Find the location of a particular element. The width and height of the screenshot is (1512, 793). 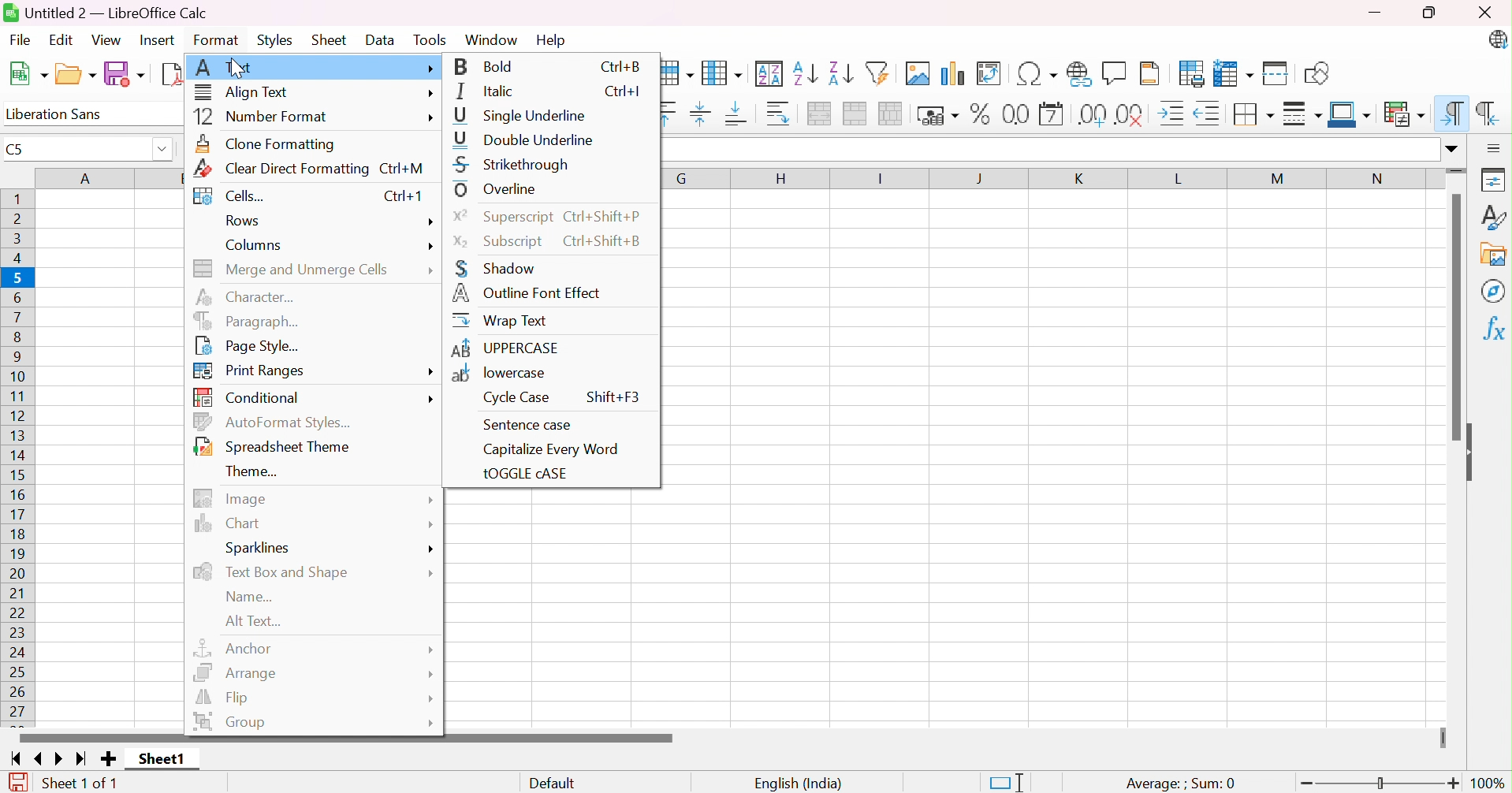

Default is located at coordinates (553, 784).